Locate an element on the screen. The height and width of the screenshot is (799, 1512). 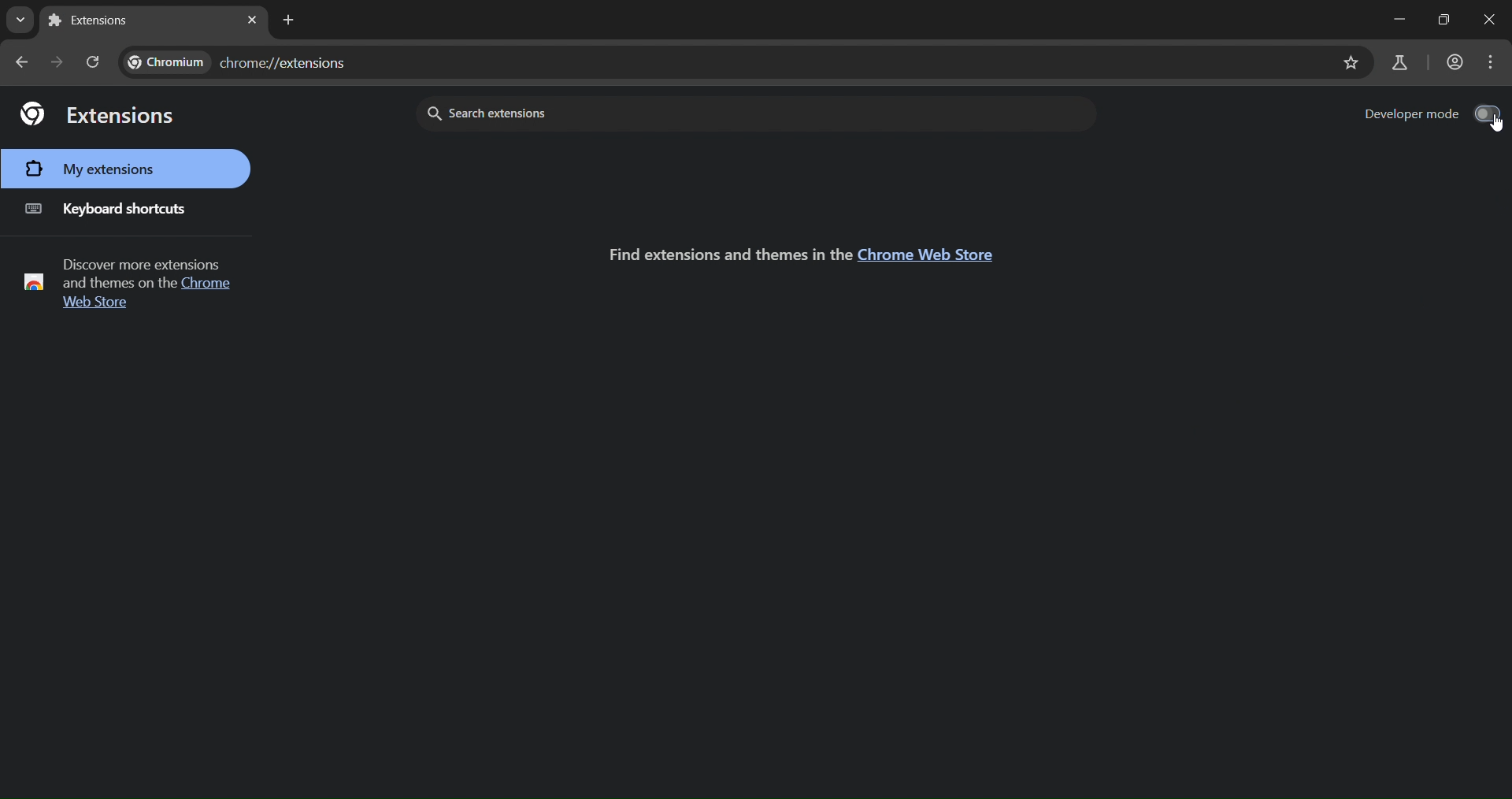
new tab is located at coordinates (287, 20).